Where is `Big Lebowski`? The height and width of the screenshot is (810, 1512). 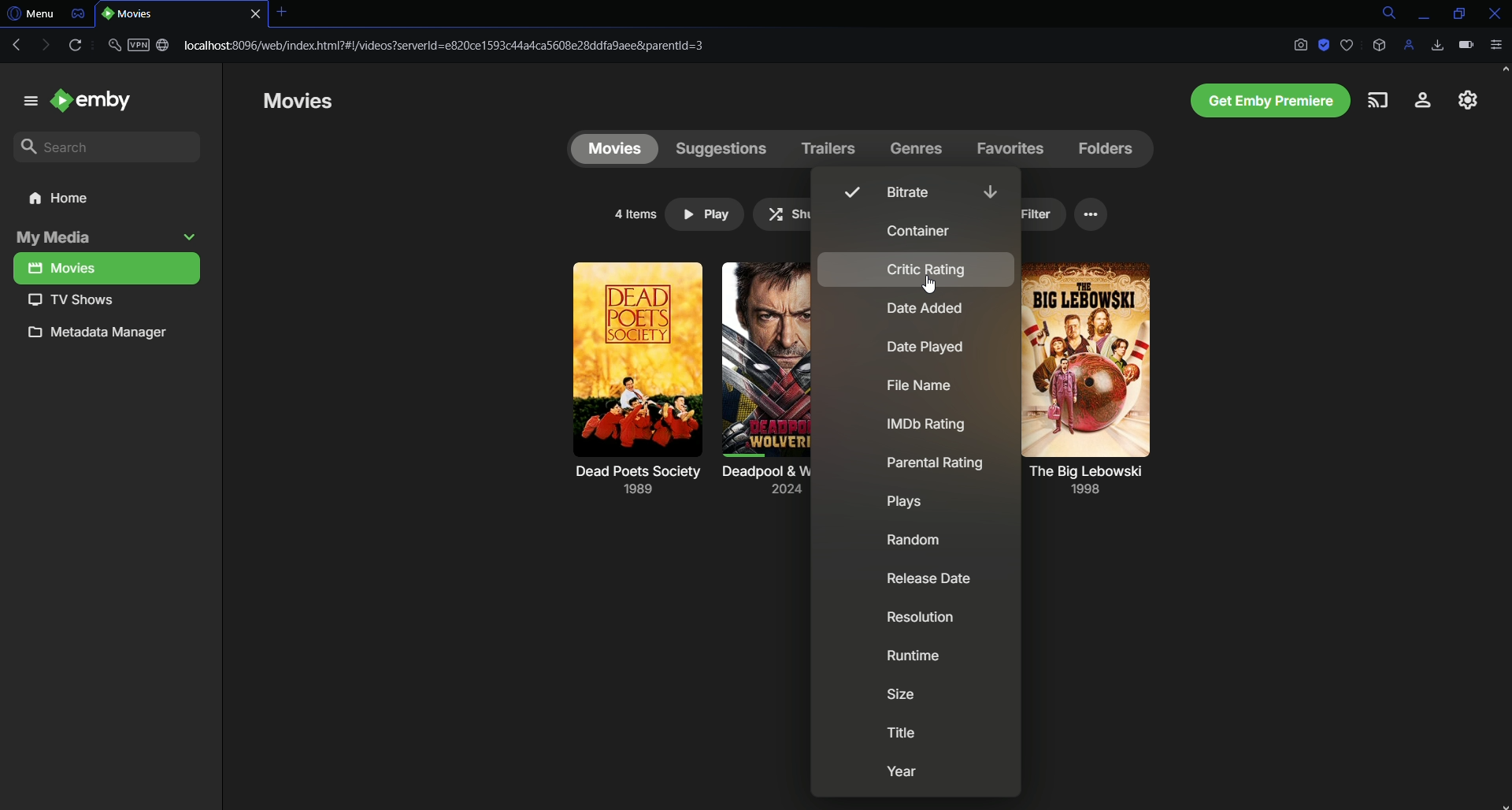 Big Lebowski is located at coordinates (1084, 363).